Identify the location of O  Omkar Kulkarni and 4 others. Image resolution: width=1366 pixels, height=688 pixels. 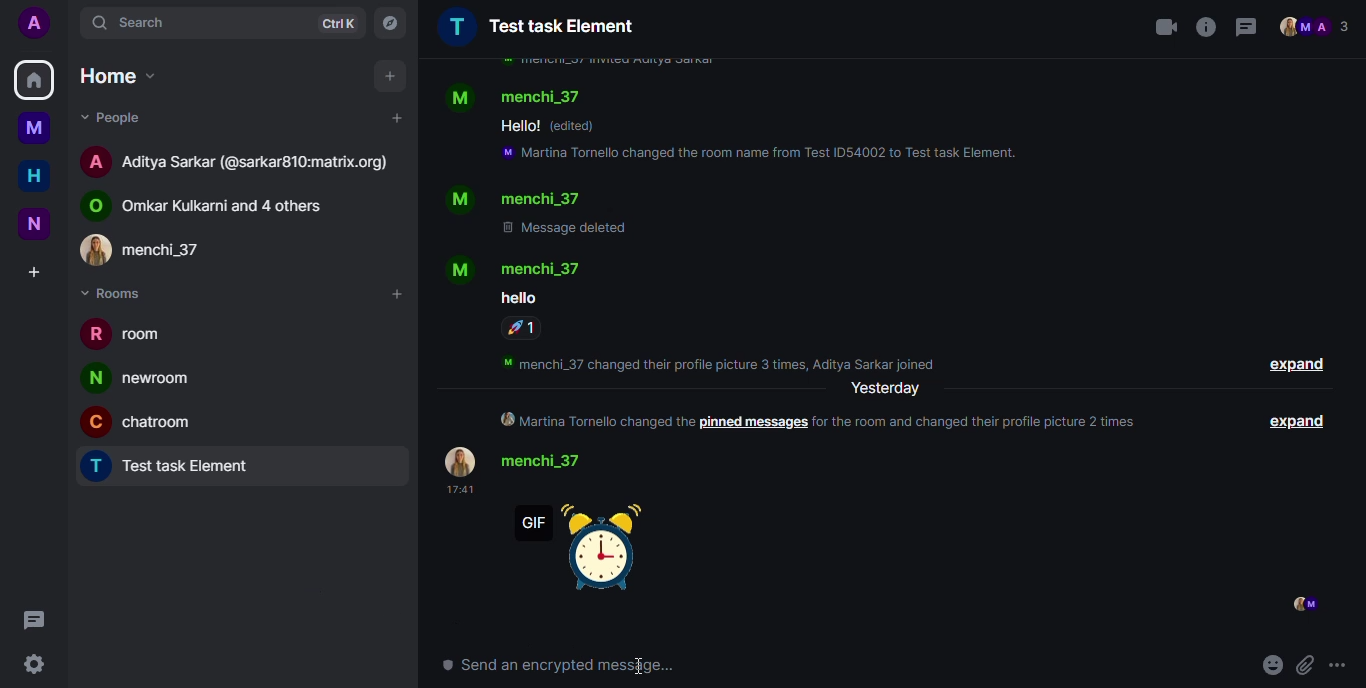
(216, 204).